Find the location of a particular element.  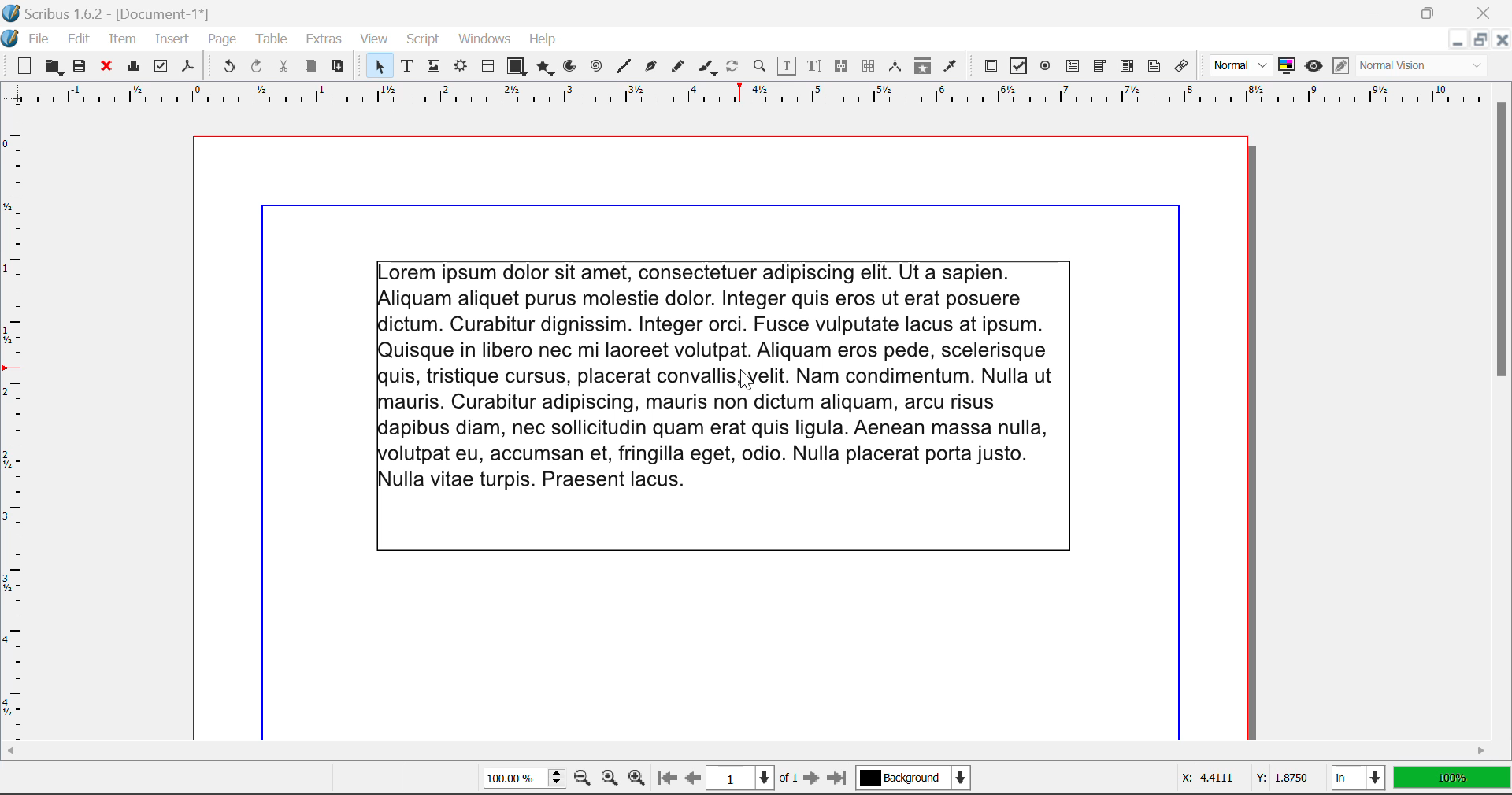

PDF Combo Box is located at coordinates (1099, 68).